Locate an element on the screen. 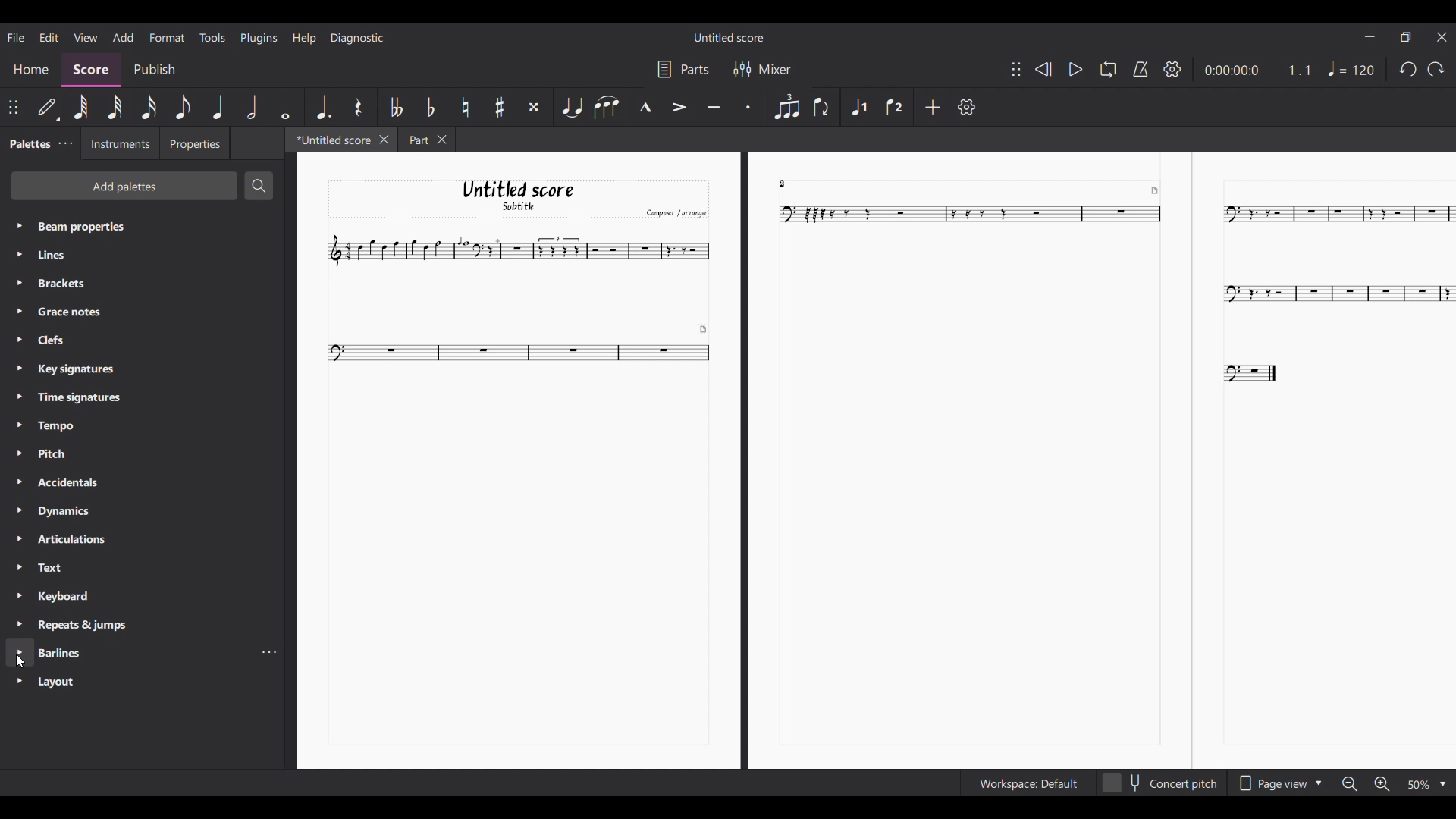 The height and width of the screenshot is (819, 1456). Page view options is located at coordinates (1278, 783).